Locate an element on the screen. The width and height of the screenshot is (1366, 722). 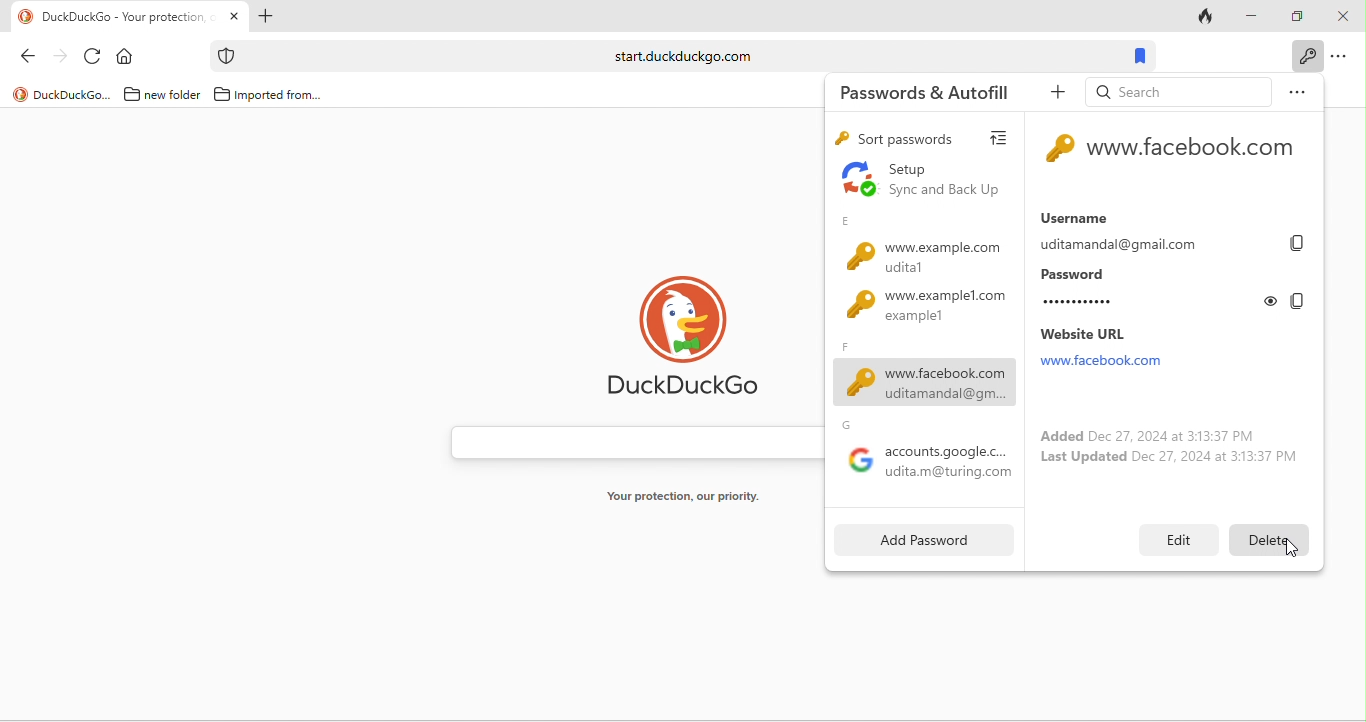
minimize is located at coordinates (1253, 16).